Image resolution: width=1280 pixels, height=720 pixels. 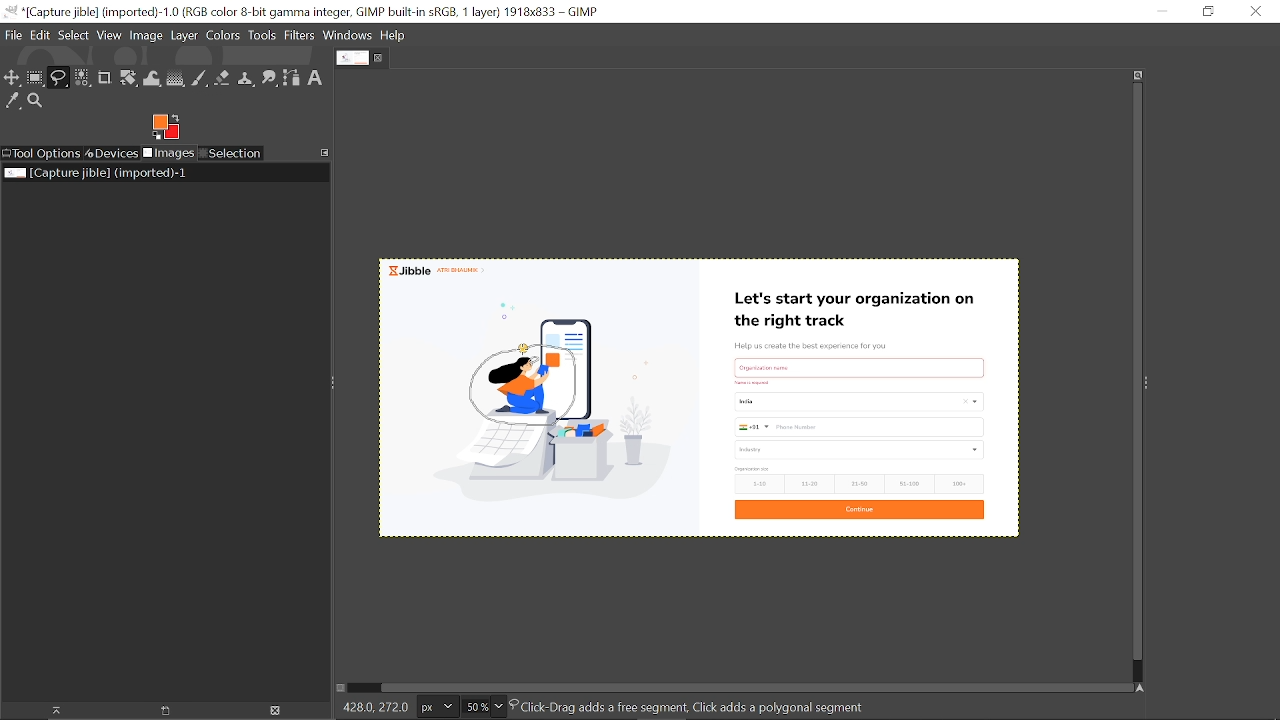 What do you see at coordinates (230, 154) in the screenshot?
I see `Selection` at bounding box center [230, 154].